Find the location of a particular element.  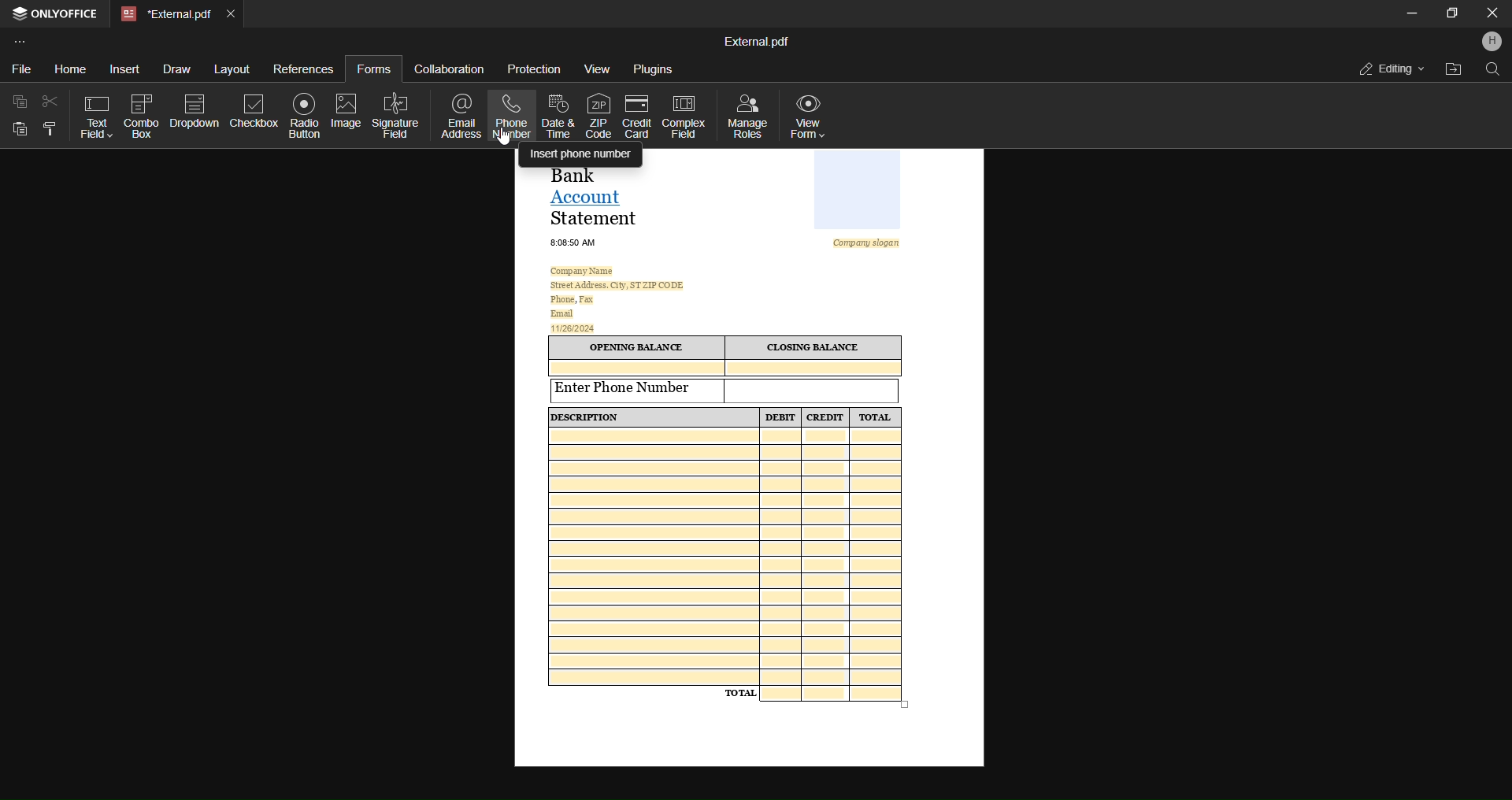

ONLYOFFICE application name is located at coordinates (54, 13).